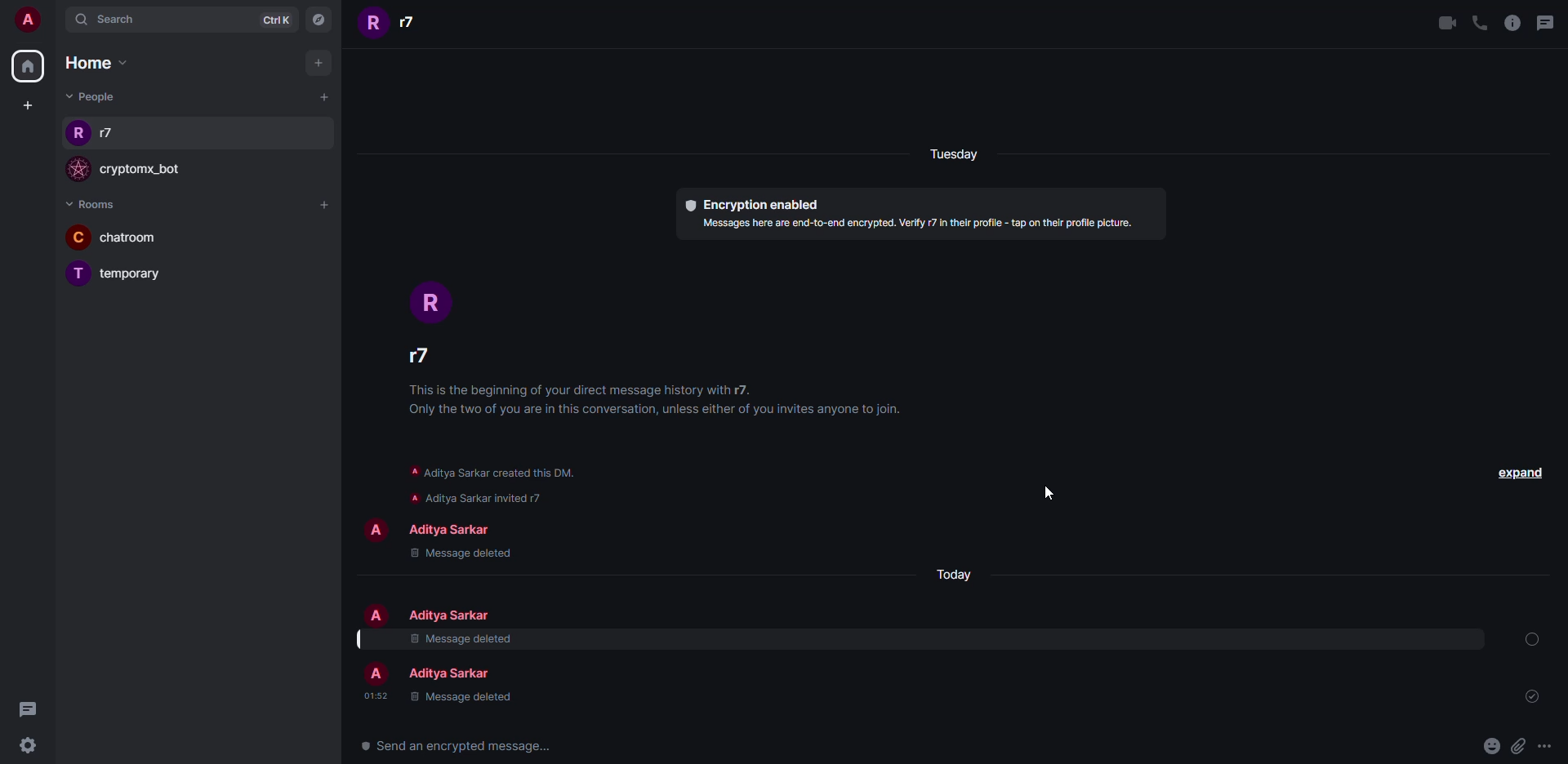 This screenshot has width=1568, height=764. What do you see at coordinates (318, 60) in the screenshot?
I see `add` at bounding box center [318, 60].